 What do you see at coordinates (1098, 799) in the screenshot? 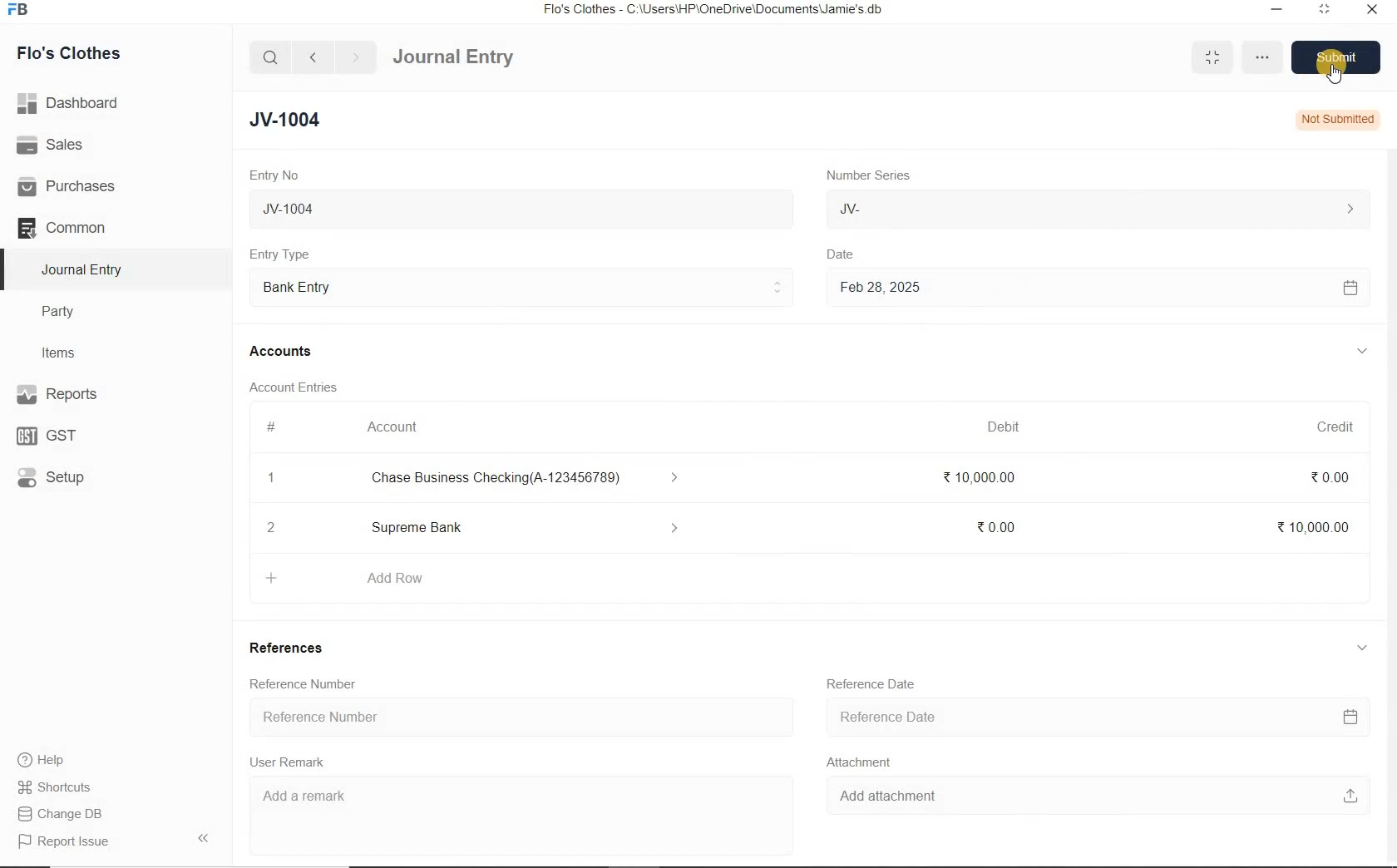
I see `Add attachment` at bounding box center [1098, 799].